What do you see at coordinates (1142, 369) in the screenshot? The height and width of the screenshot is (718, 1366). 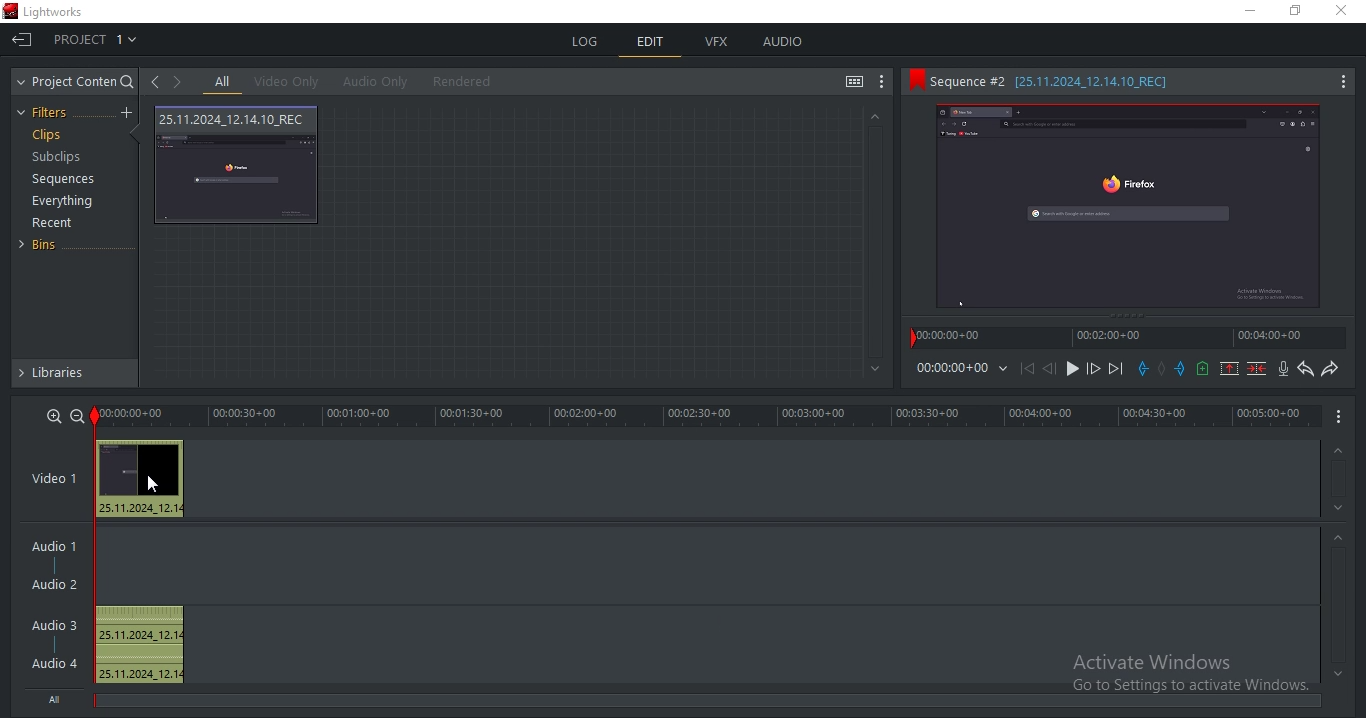 I see `add an in mark` at bounding box center [1142, 369].